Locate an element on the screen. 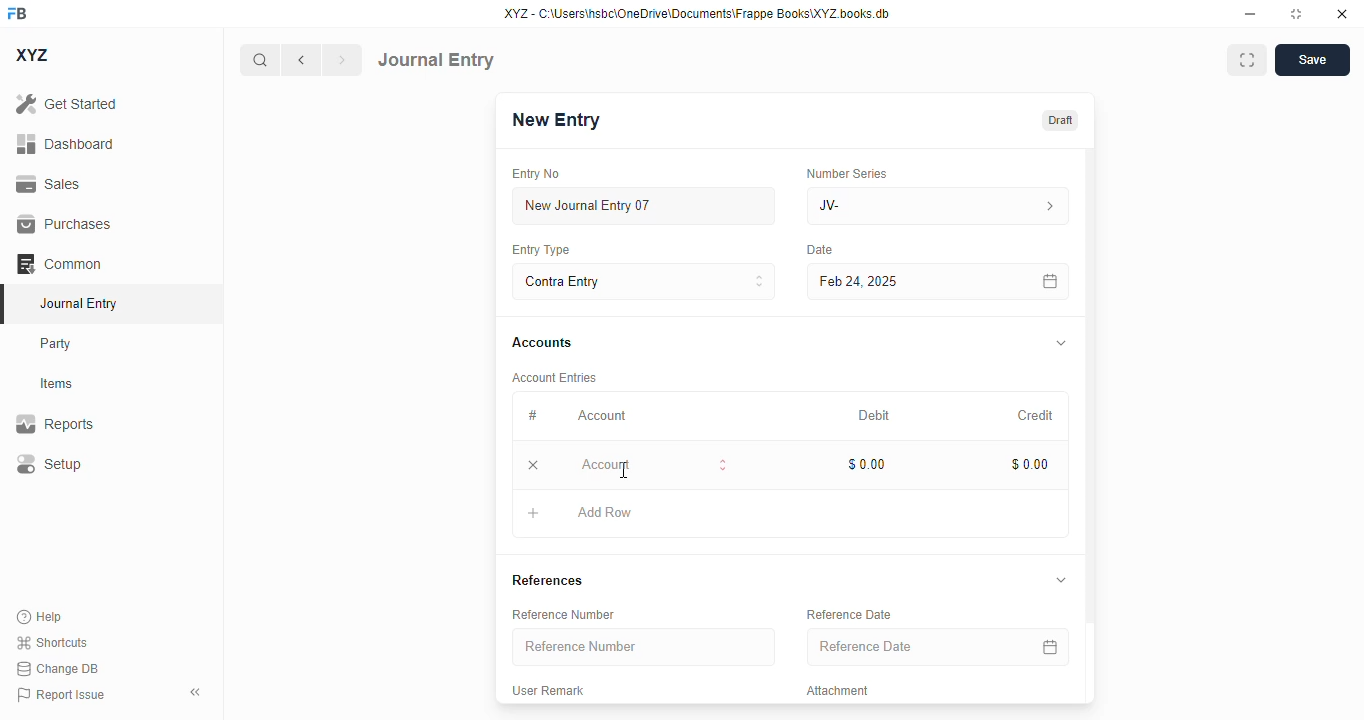 Image resolution: width=1364 pixels, height=720 pixels. FB - logo is located at coordinates (17, 13).